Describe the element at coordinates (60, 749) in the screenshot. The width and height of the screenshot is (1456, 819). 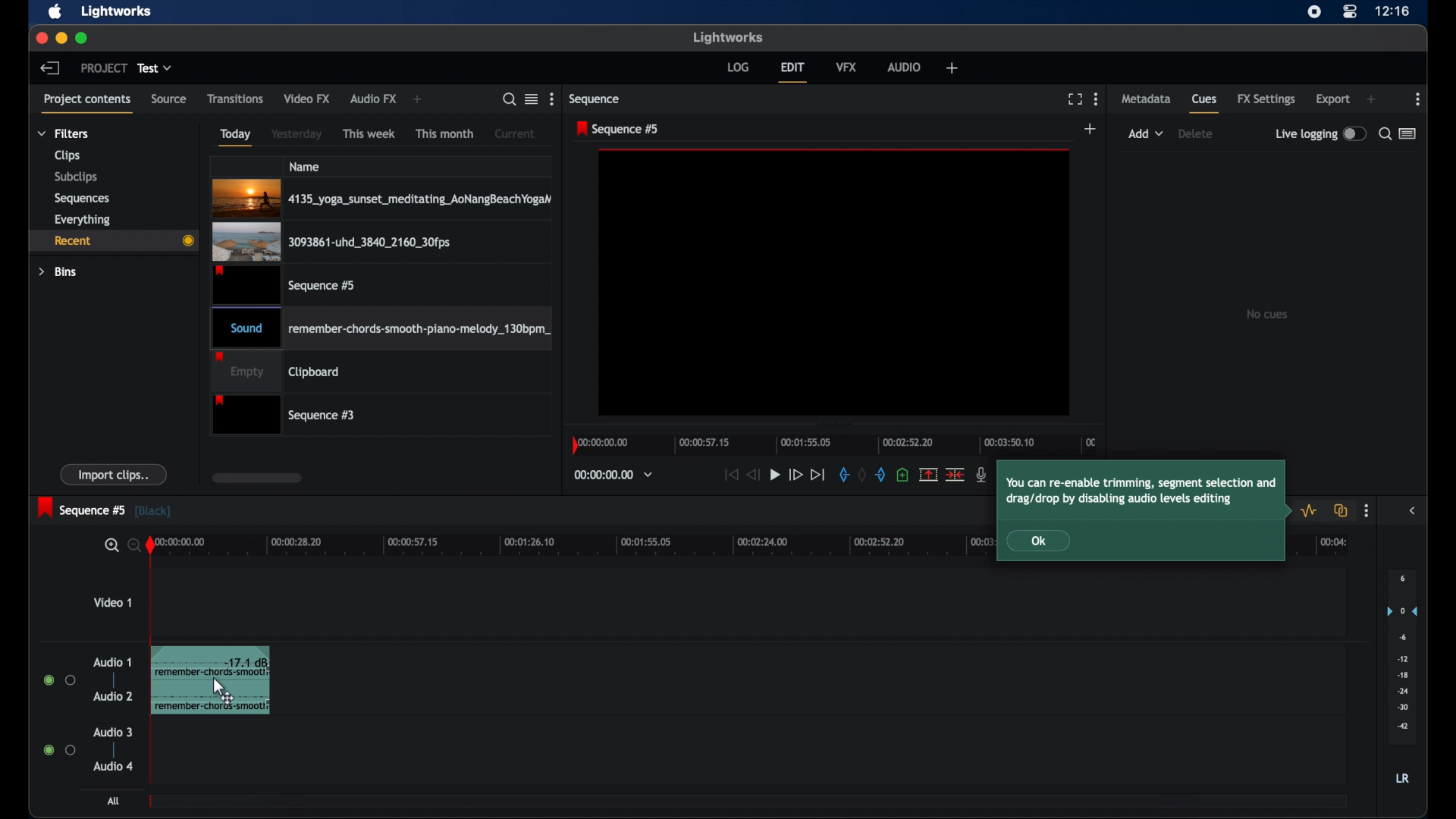
I see `radio buttons` at that location.